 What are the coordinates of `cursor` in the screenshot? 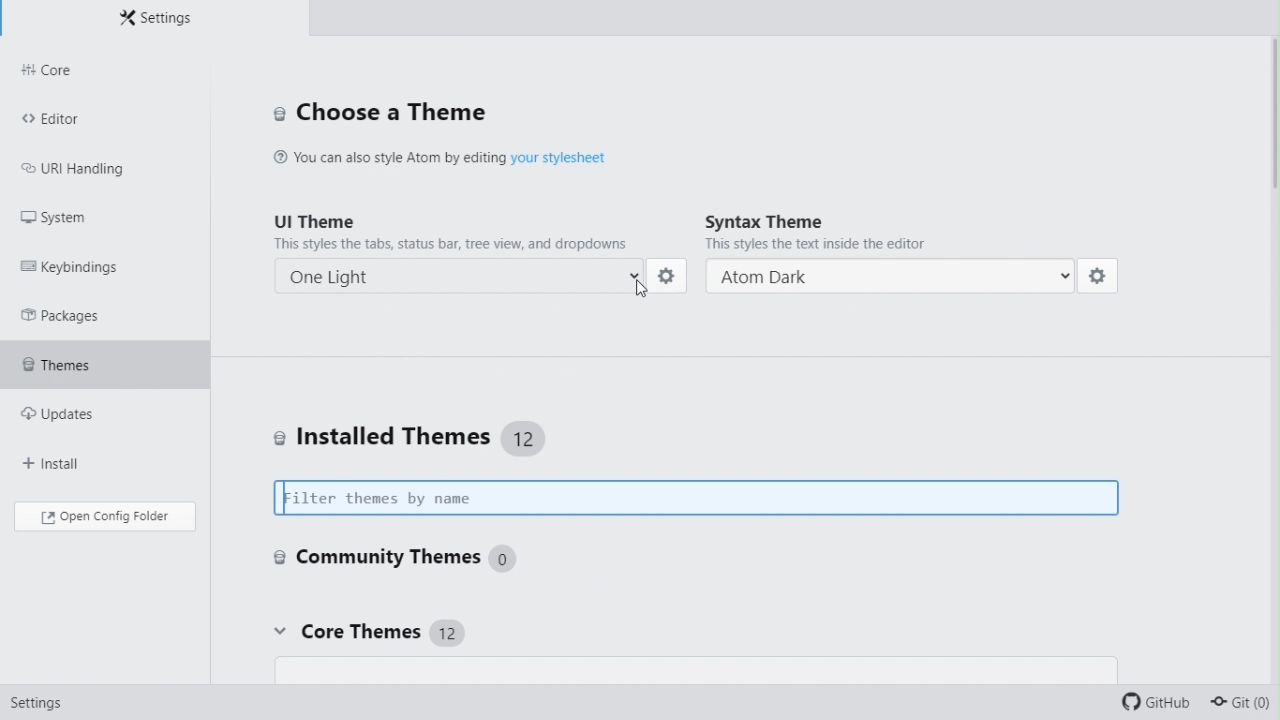 It's located at (640, 288).